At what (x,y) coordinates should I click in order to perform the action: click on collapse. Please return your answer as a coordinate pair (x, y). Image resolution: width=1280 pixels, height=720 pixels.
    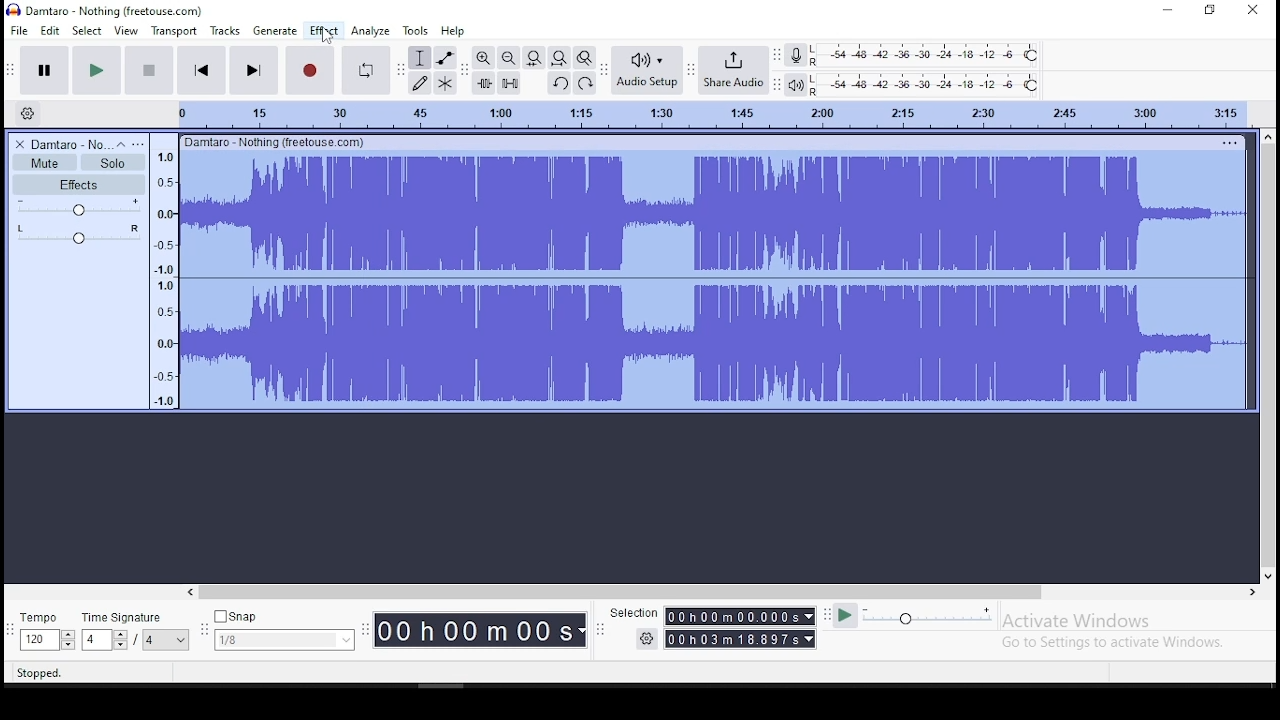
    Looking at the image, I should click on (123, 143).